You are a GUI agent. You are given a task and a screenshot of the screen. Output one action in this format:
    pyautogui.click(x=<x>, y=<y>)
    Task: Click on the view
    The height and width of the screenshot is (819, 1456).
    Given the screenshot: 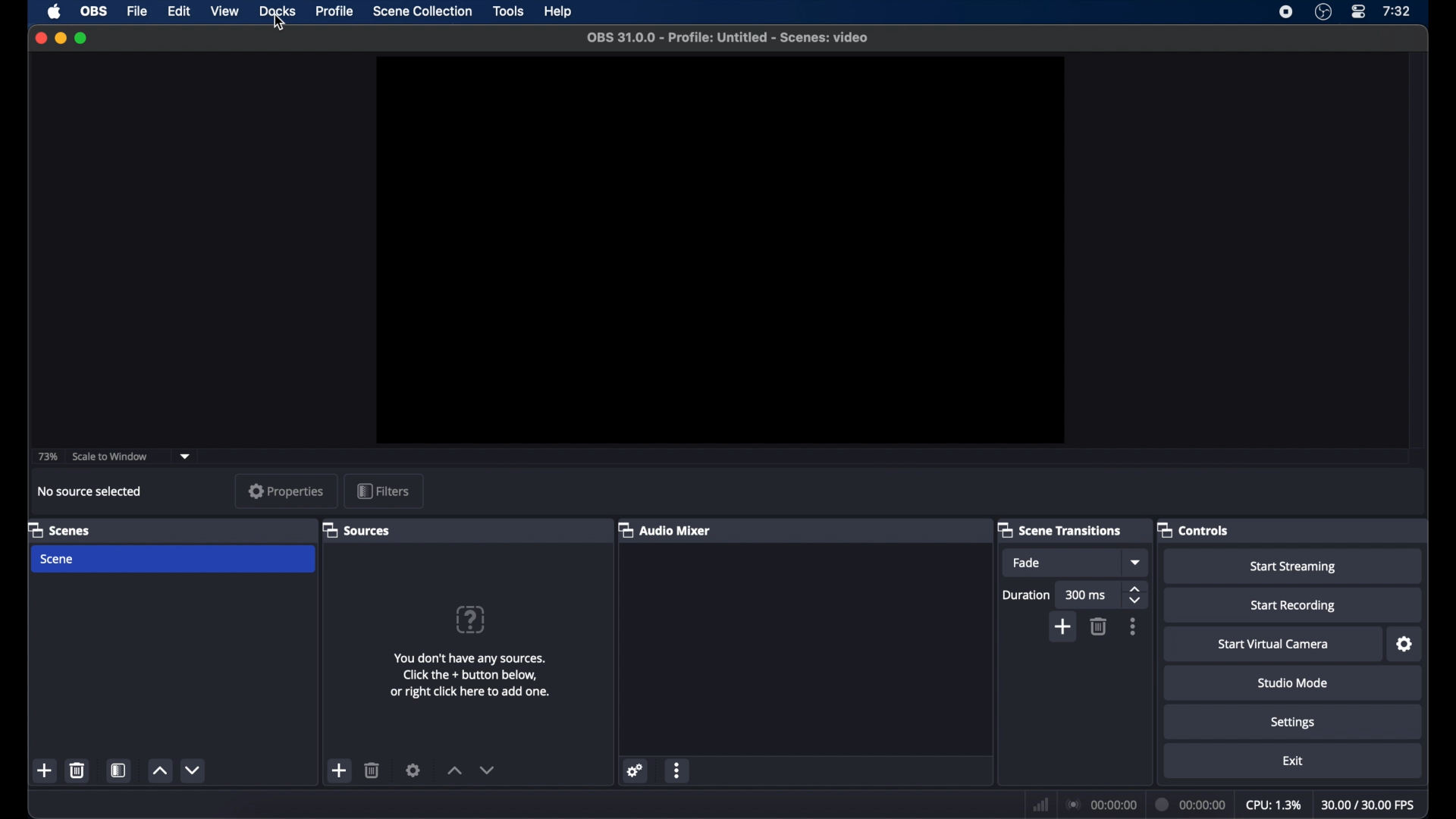 What is the action you would take?
    pyautogui.click(x=224, y=11)
    